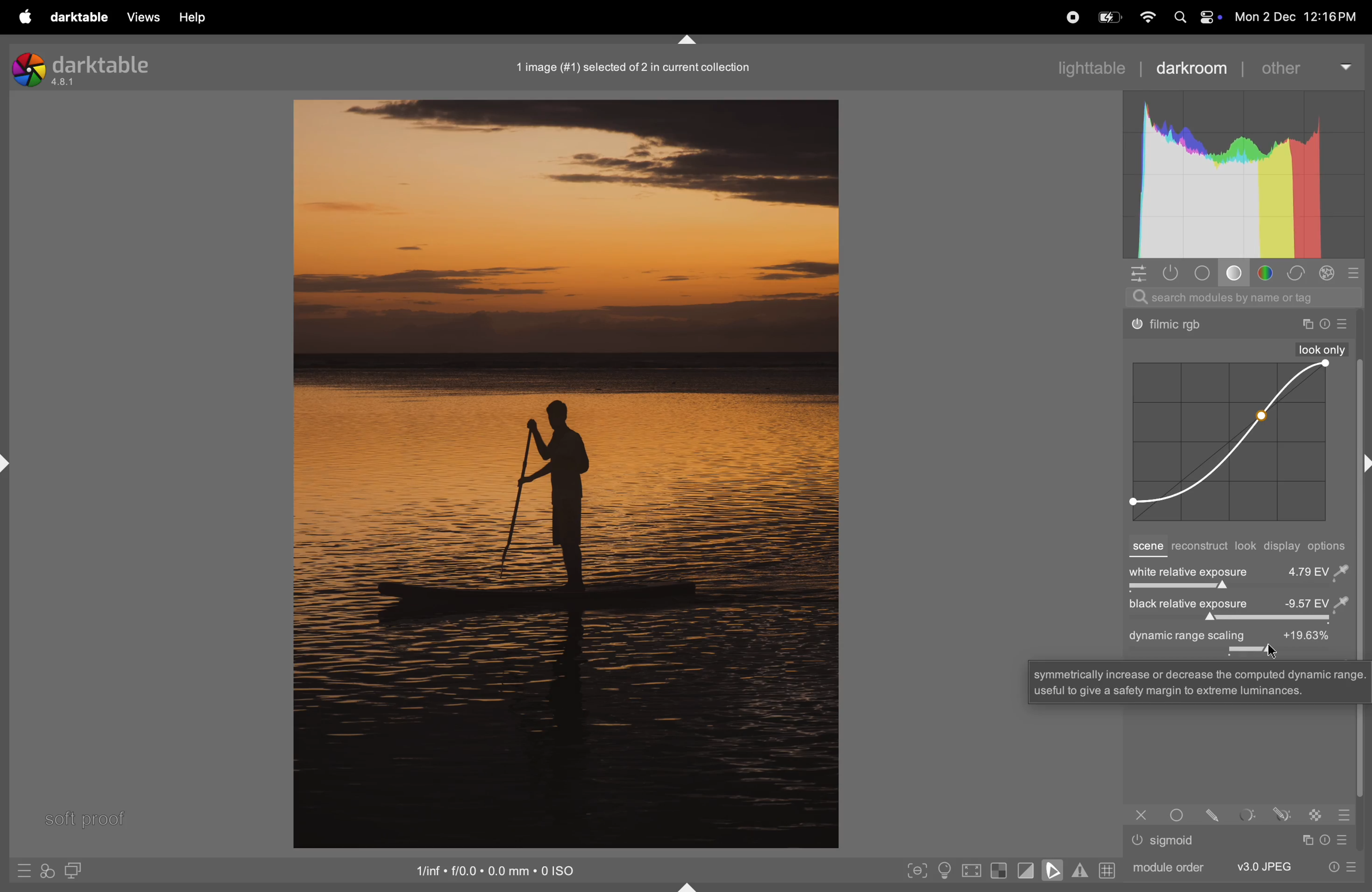  I want to click on , so click(1327, 840).